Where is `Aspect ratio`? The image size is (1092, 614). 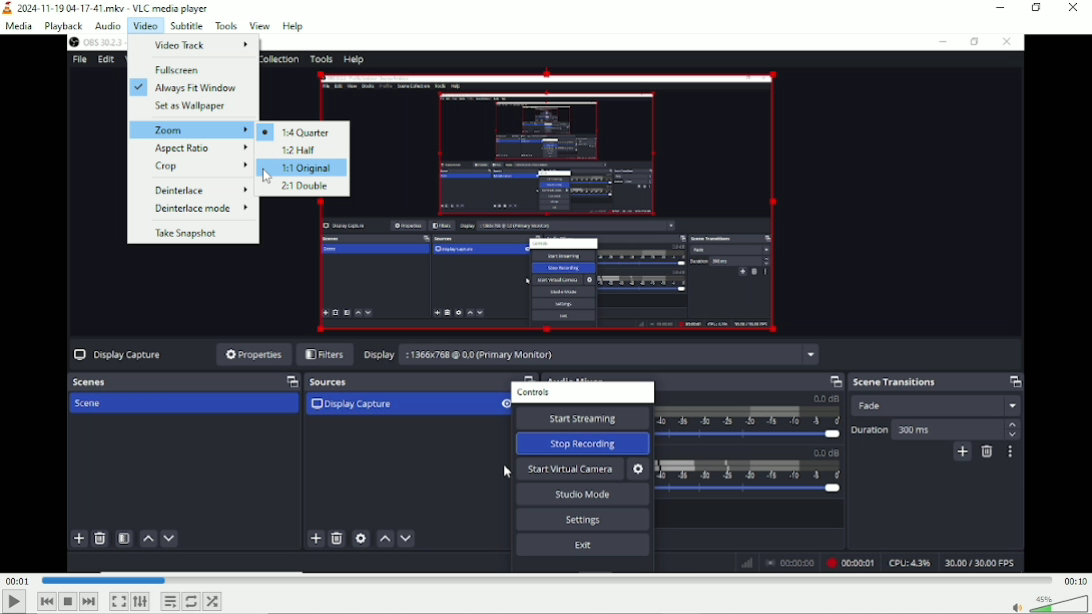 Aspect ratio is located at coordinates (201, 148).